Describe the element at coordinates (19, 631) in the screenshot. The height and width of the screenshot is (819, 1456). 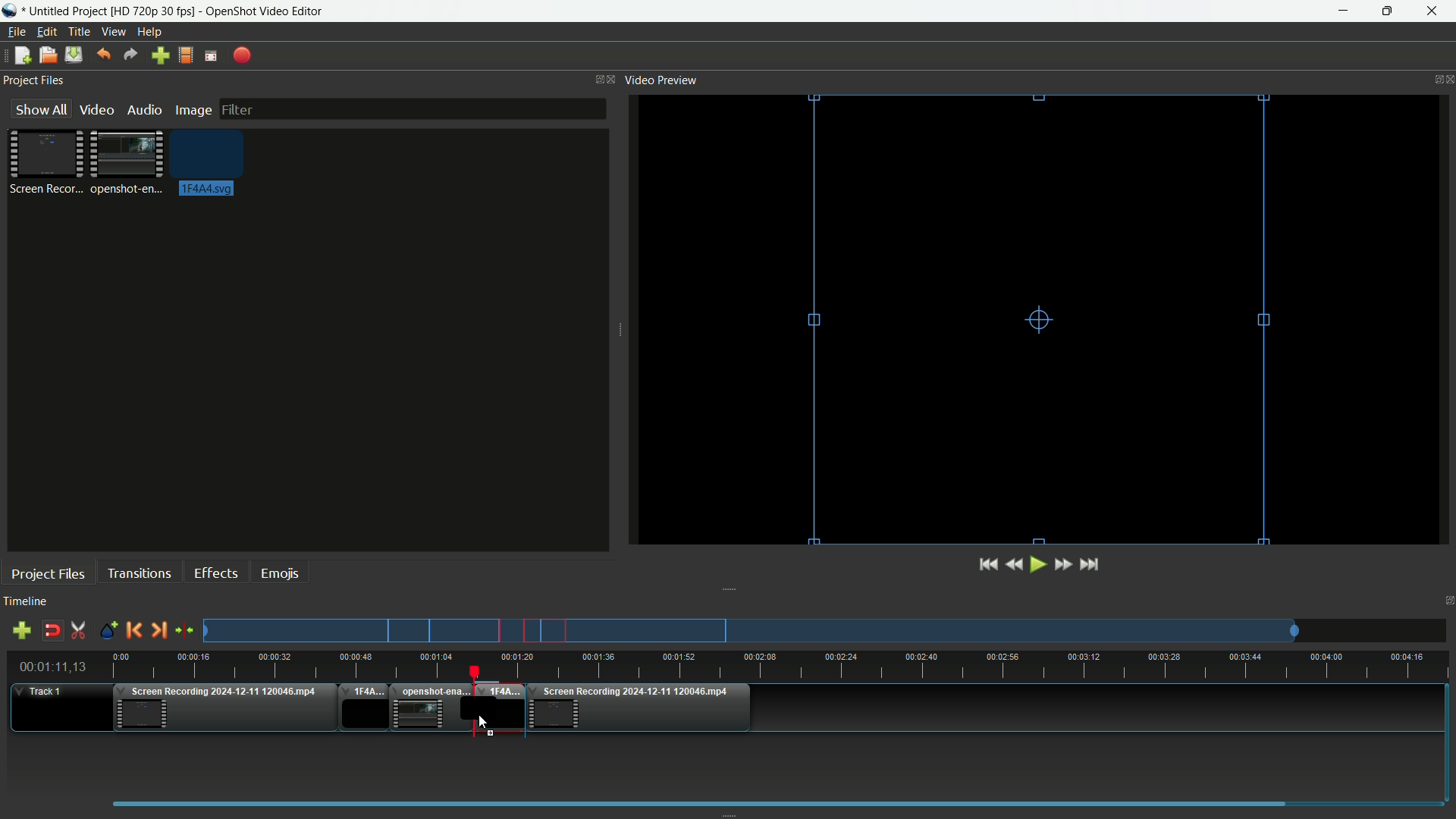
I see `add track` at that location.